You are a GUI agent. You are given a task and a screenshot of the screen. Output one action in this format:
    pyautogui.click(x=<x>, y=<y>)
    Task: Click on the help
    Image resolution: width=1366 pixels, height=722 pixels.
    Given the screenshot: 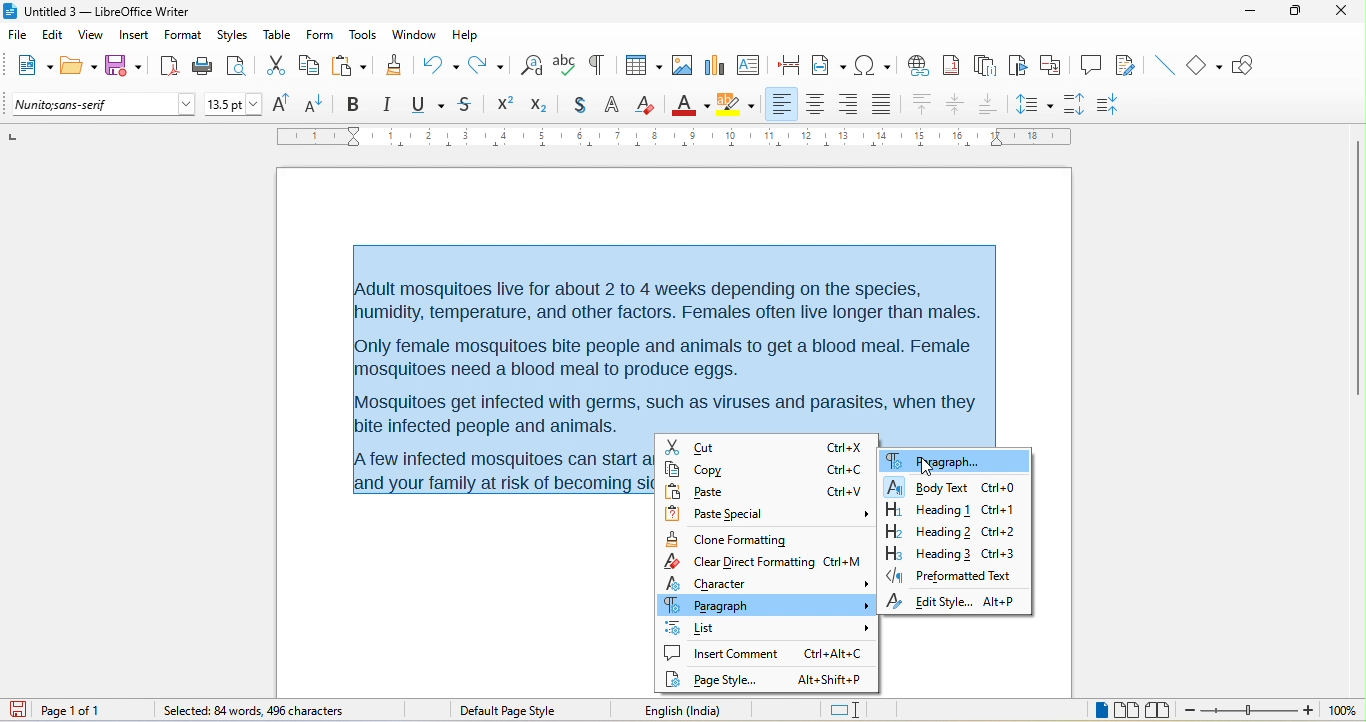 What is the action you would take?
    pyautogui.click(x=464, y=34)
    